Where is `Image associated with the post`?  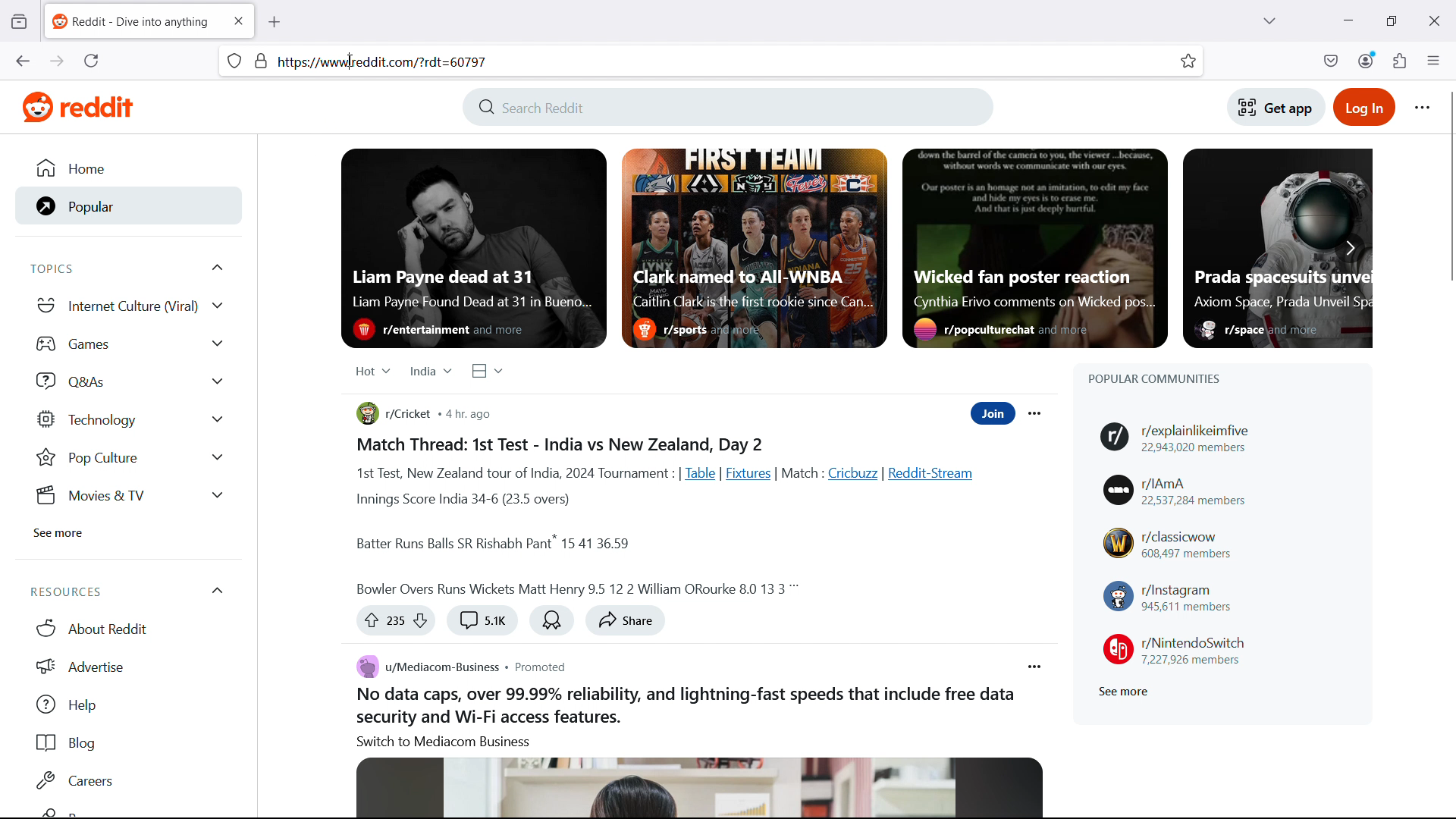
Image associated with the post is located at coordinates (699, 788).